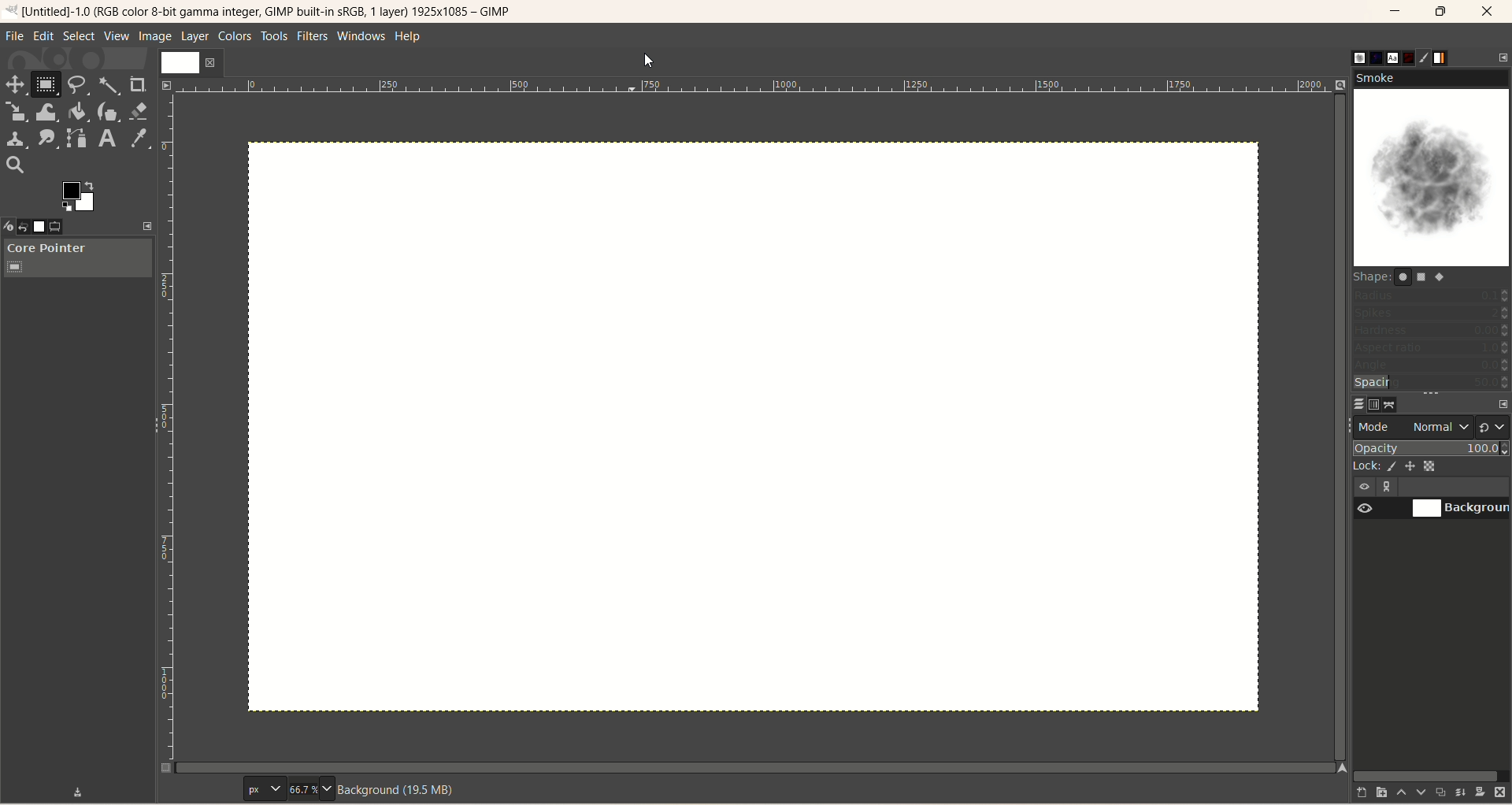 The image size is (1512, 805). I want to click on zoom factor, so click(309, 789).